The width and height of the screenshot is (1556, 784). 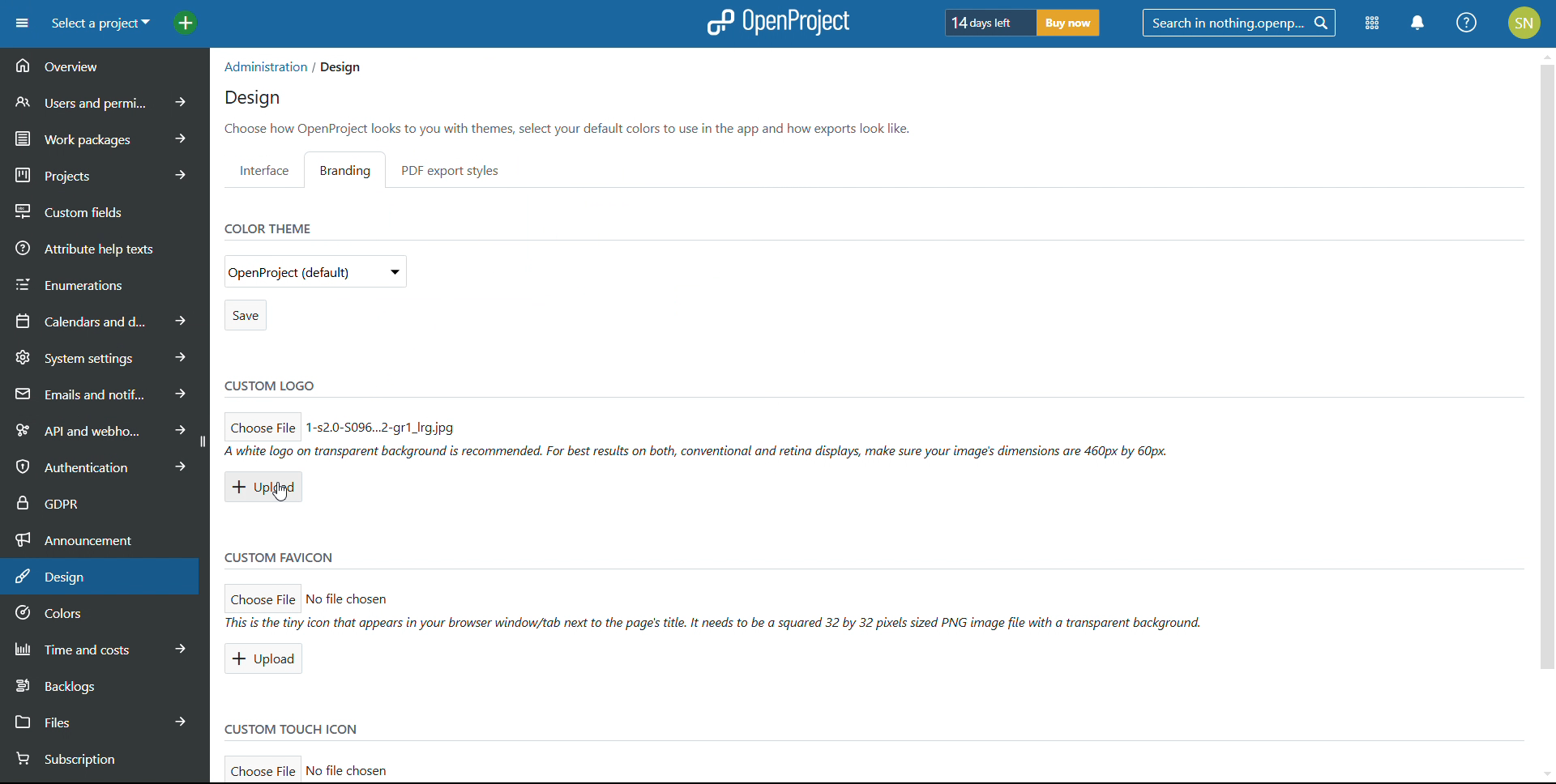 I want to click on Choose how OpenProject looks to you with themes, select your default colors to use in the app and how exports look like., so click(x=572, y=128).